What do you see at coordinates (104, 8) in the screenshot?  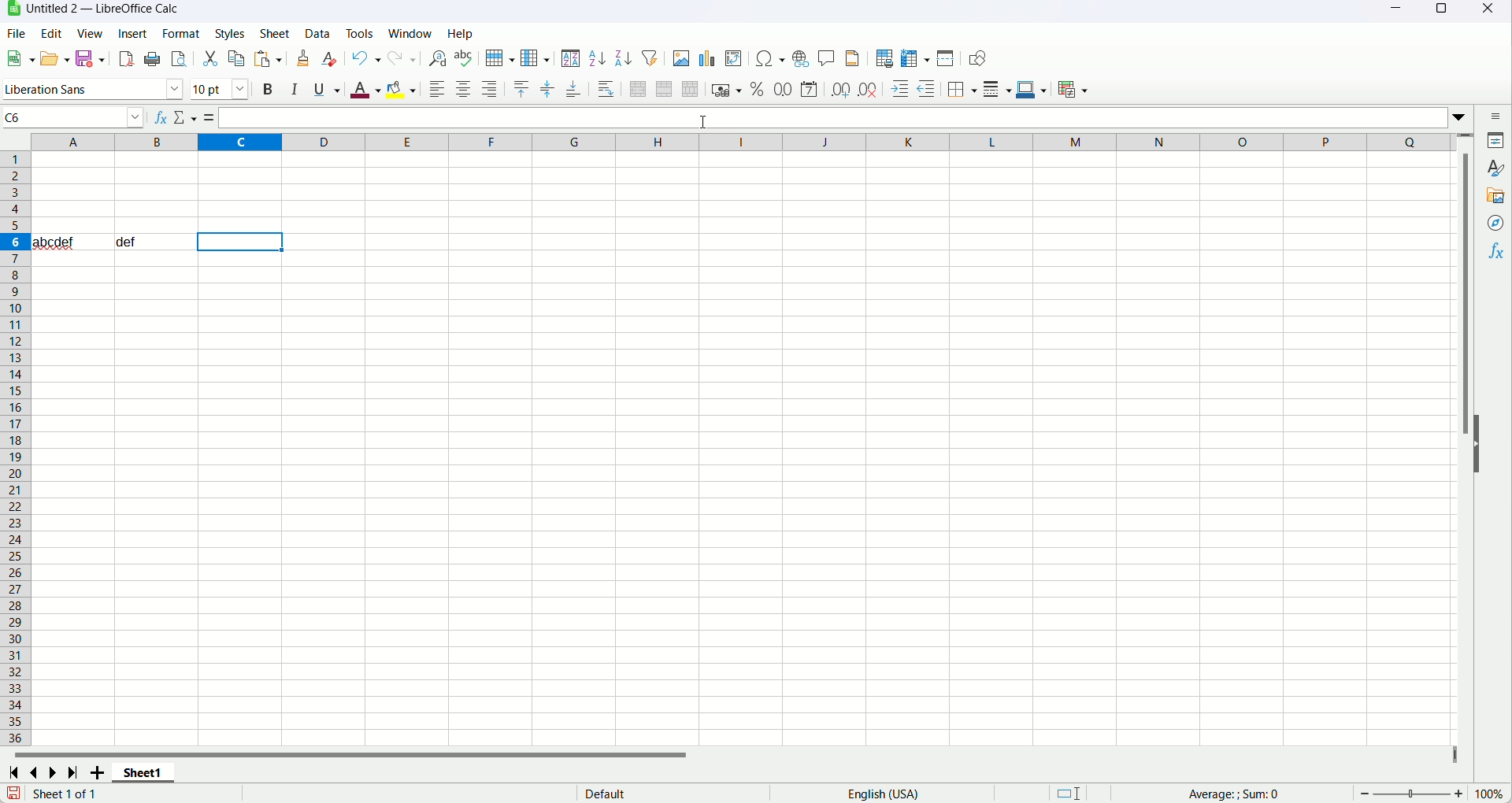 I see `title` at bounding box center [104, 8].